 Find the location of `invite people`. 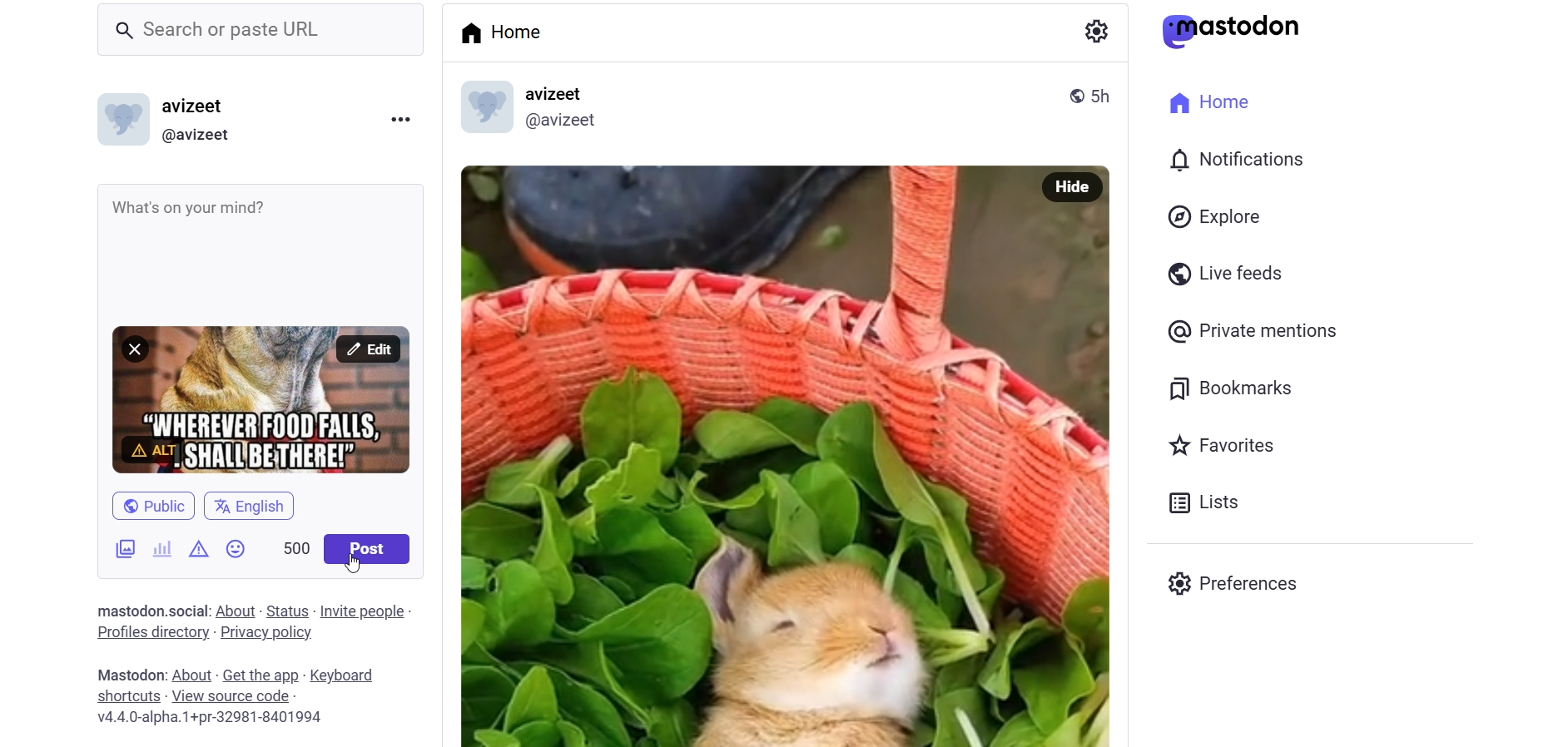

invite people is located at coordinates (365, 610).